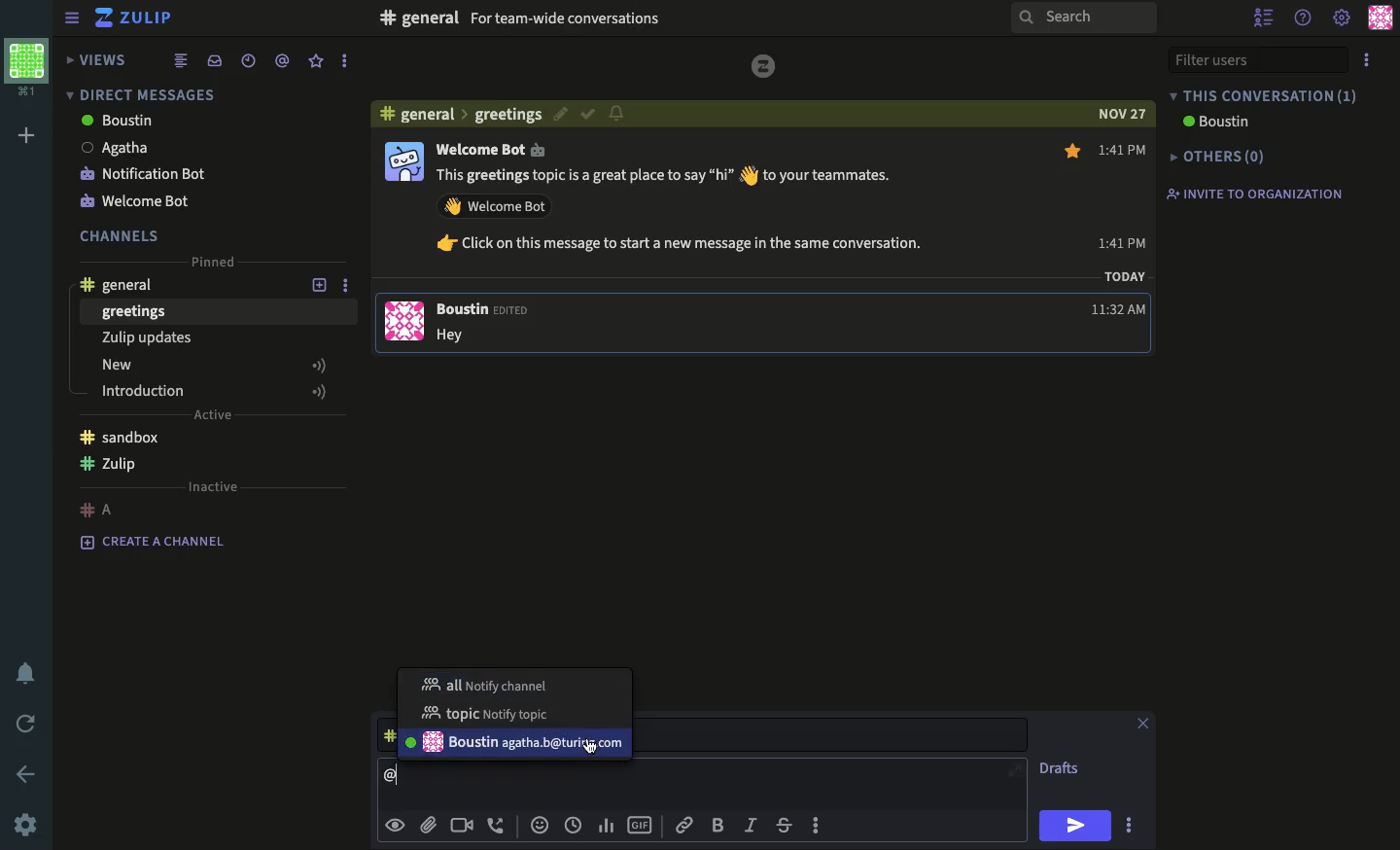  Describe the element at coordinates (93, 59) in the screenshot. I see `views` at that location.